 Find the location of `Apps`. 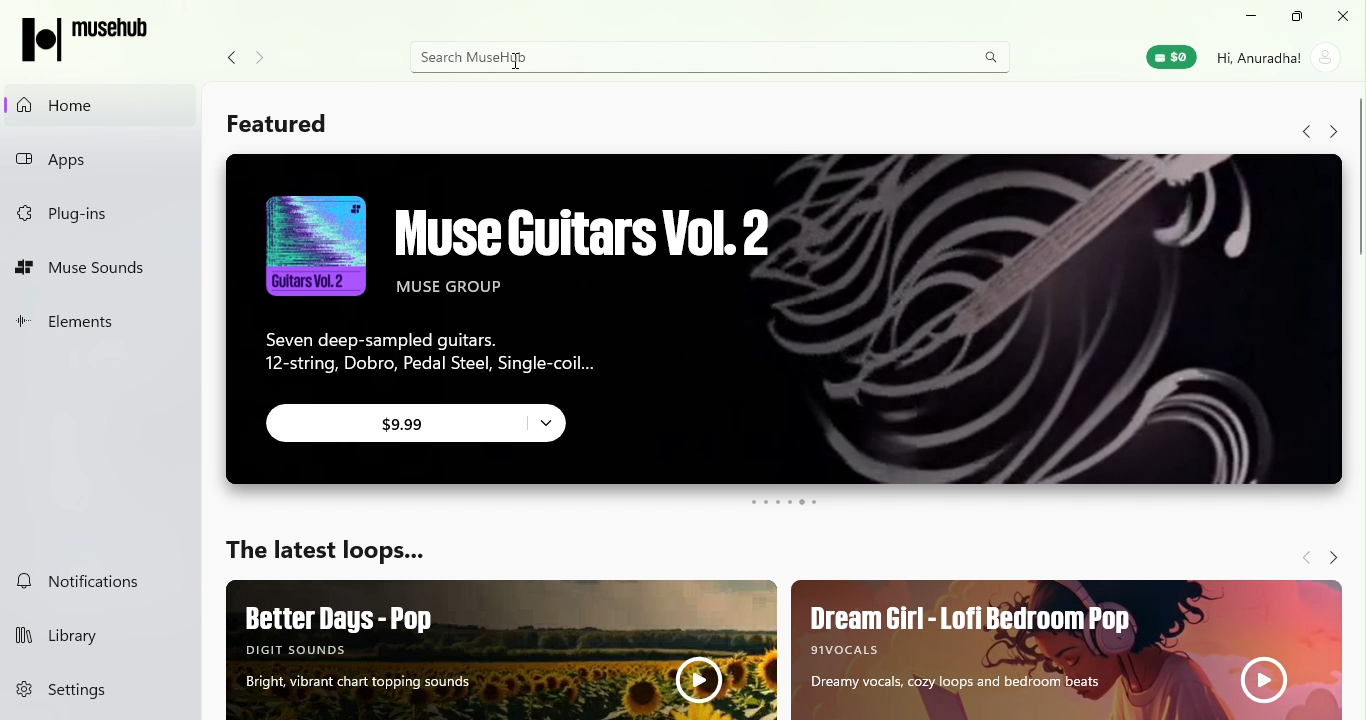

Apps is located at coordinates (98, 160).